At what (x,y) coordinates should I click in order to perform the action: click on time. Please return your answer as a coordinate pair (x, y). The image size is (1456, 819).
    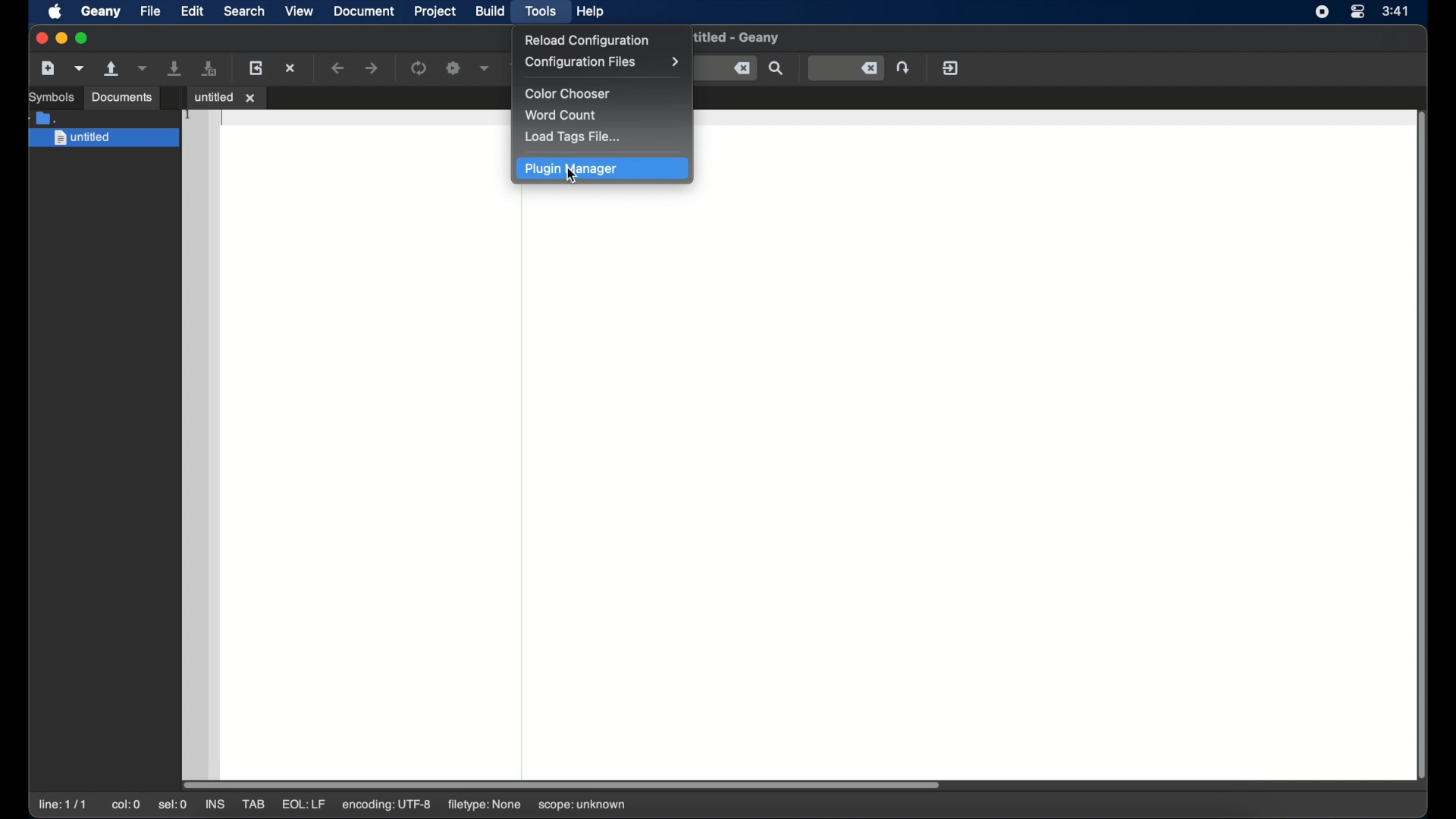
    Looking at the image, I should click on (1395, 10).